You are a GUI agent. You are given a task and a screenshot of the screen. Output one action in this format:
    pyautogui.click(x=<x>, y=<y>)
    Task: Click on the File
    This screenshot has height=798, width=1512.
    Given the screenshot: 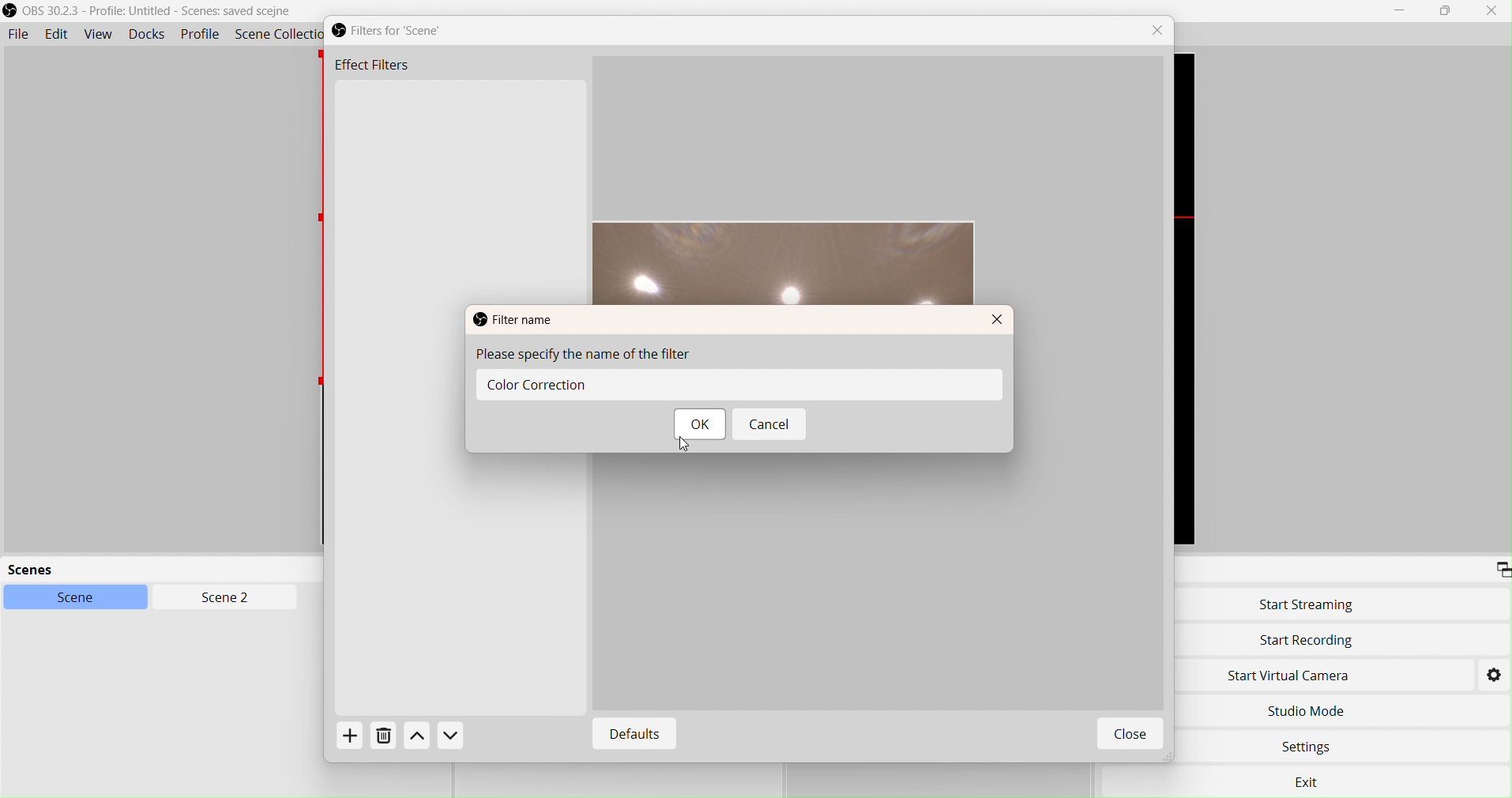 What is the action you would take?
    pyautogui.click(x=18, y=35)
    